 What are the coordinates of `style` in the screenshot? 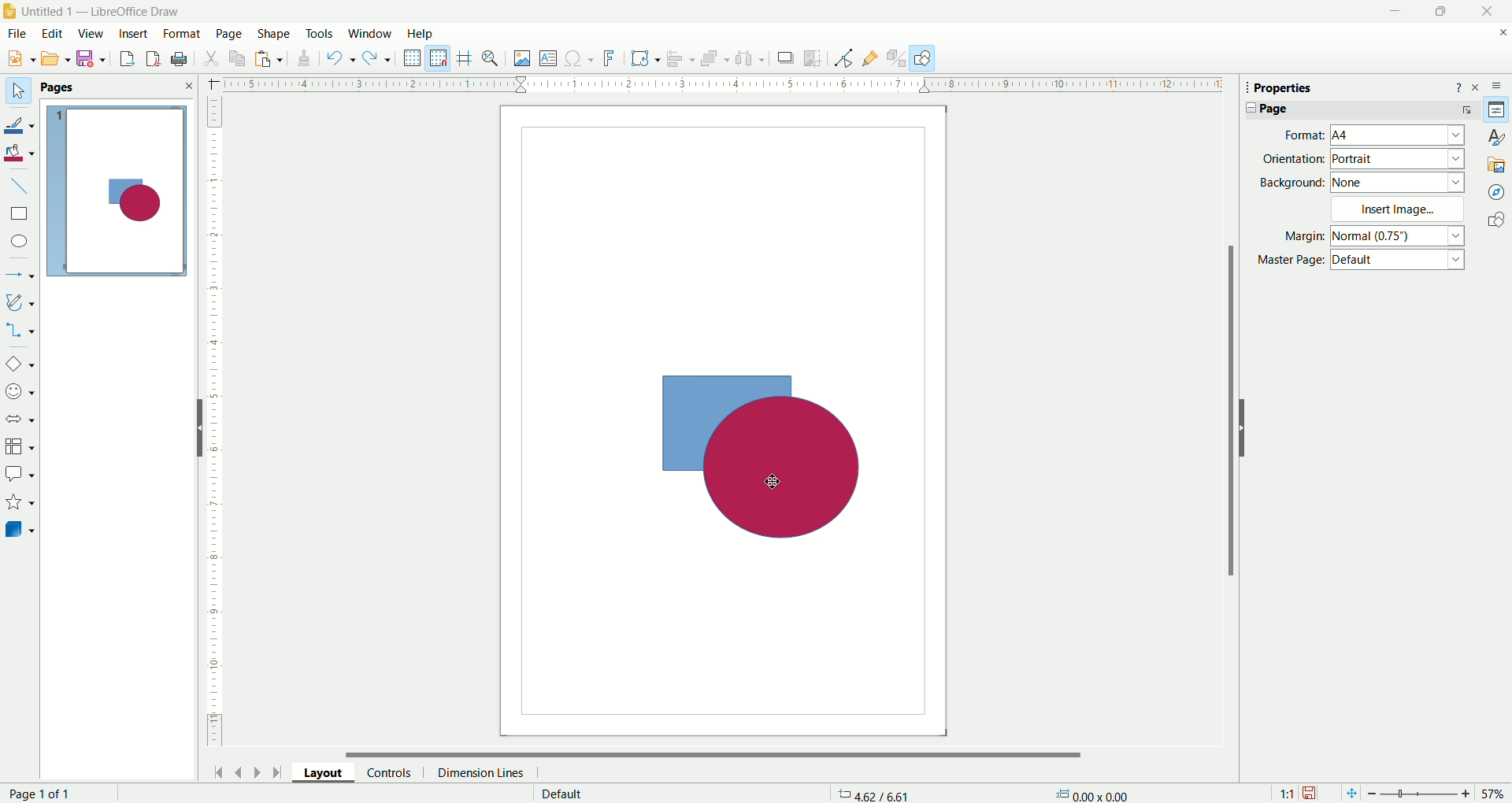 It's located at (1492, 136).